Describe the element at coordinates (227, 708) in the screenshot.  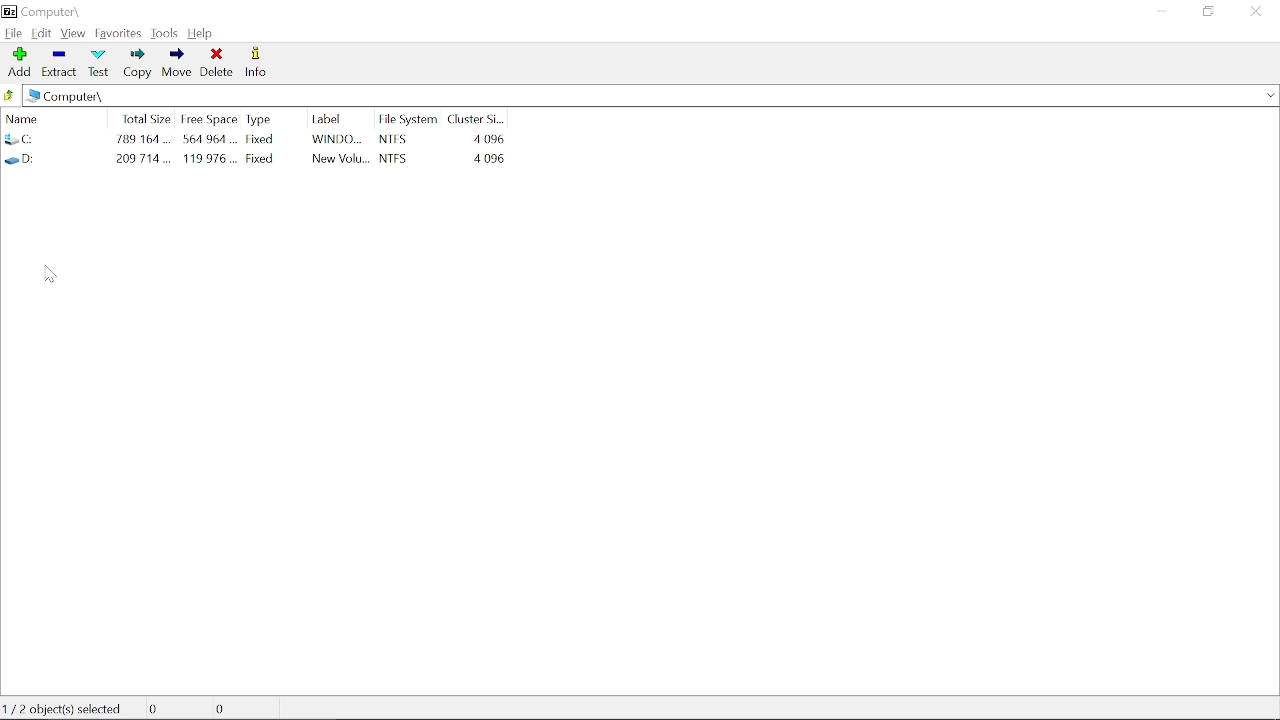
I see `0` at that location.